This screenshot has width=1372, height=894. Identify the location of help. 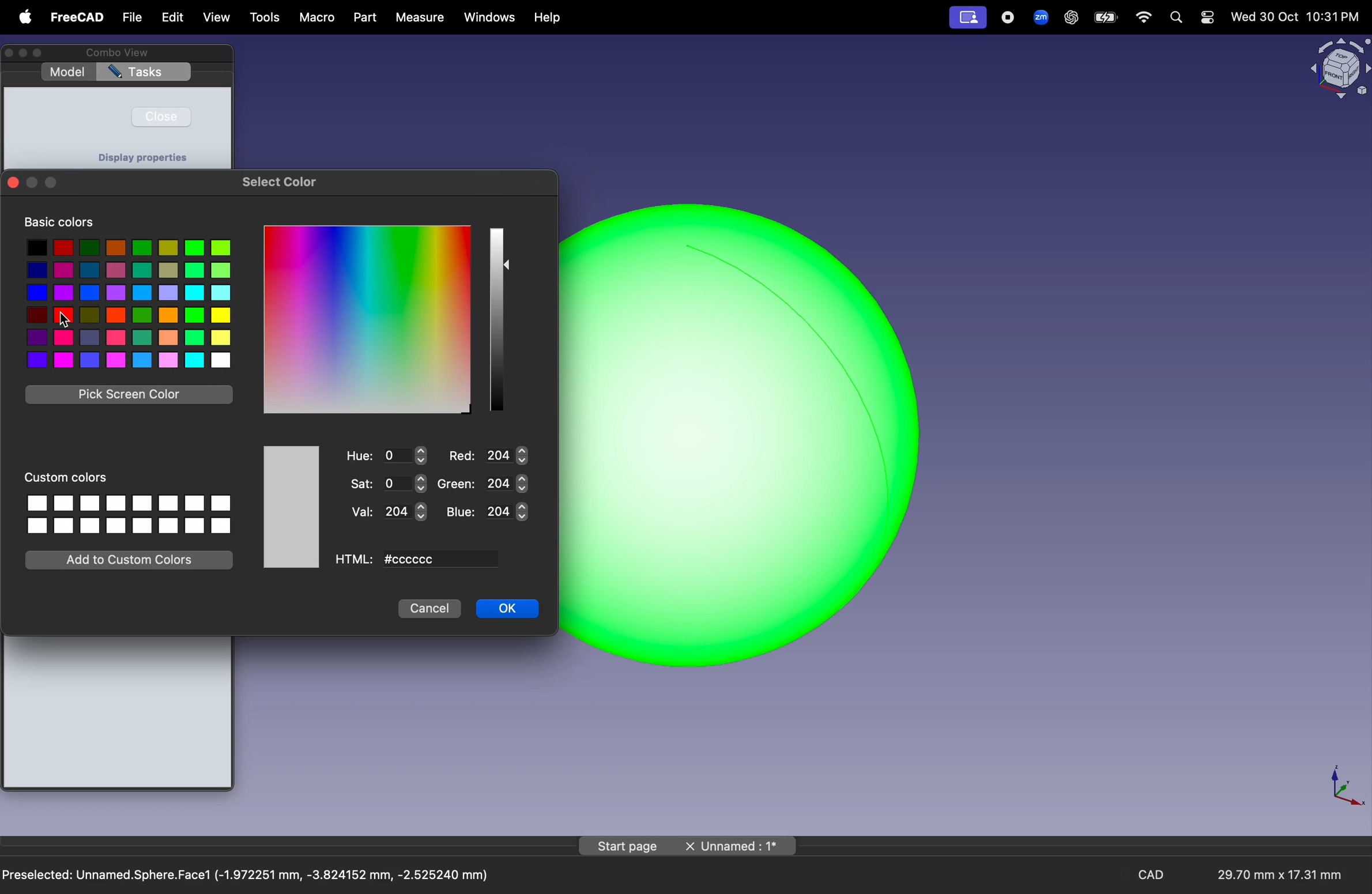
(549, 18).